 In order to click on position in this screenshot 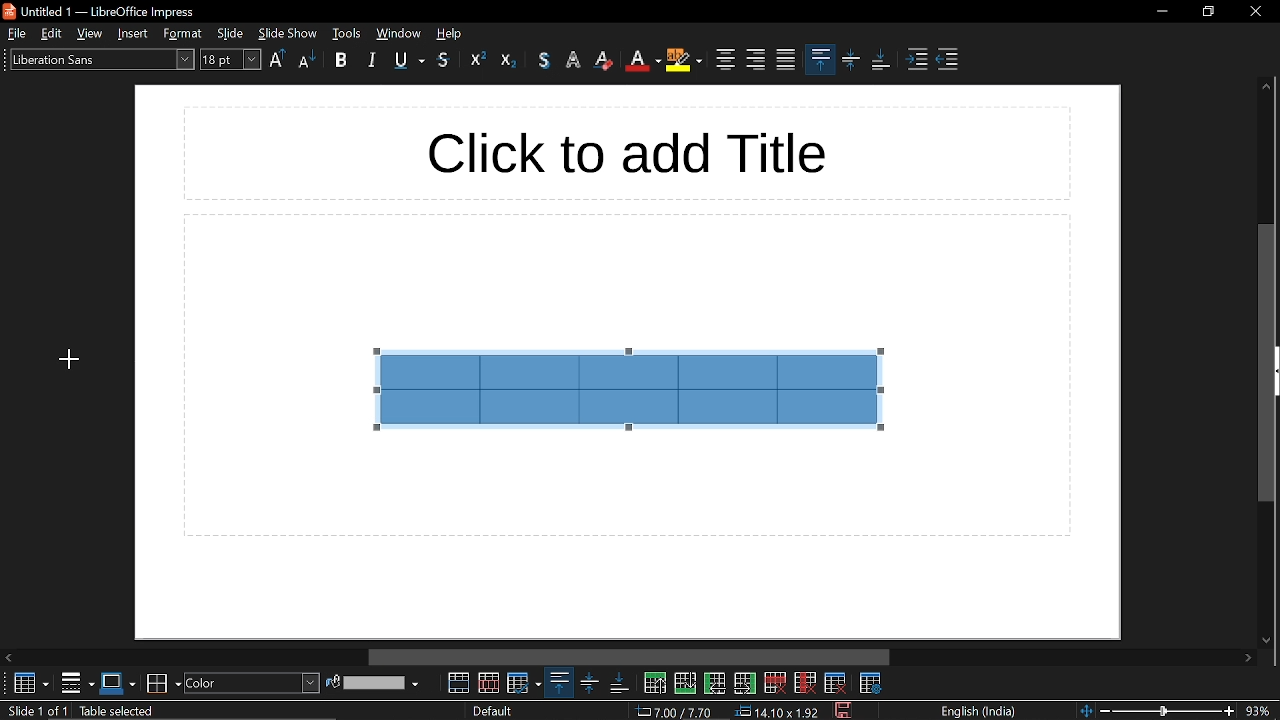, I will do `click(777, 712)`.